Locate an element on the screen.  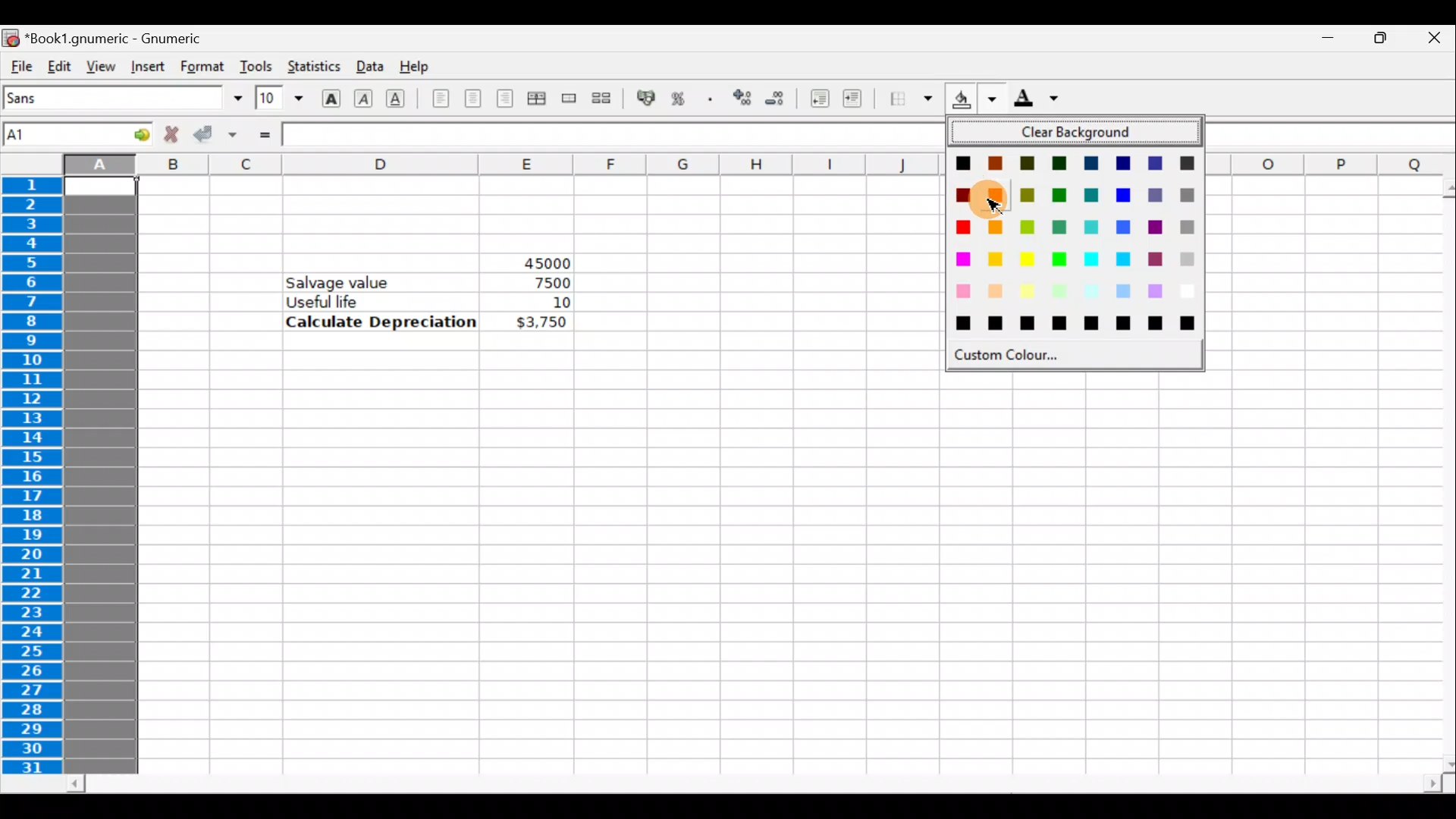
View is located at coordinates (96, 65).